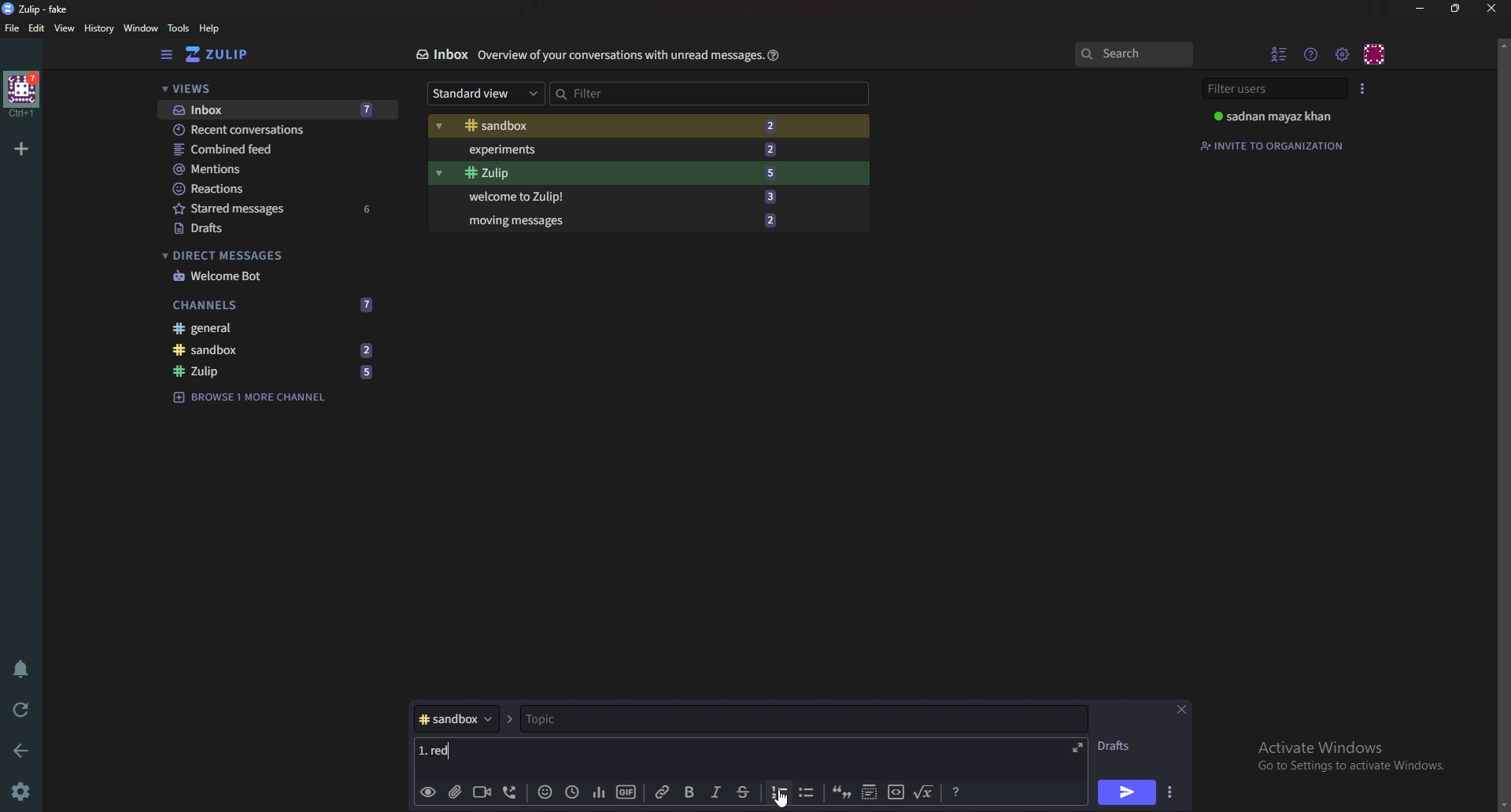 This screenshot has height=812, width=1511. I want to click on Personal menu, so click(1376, 53).